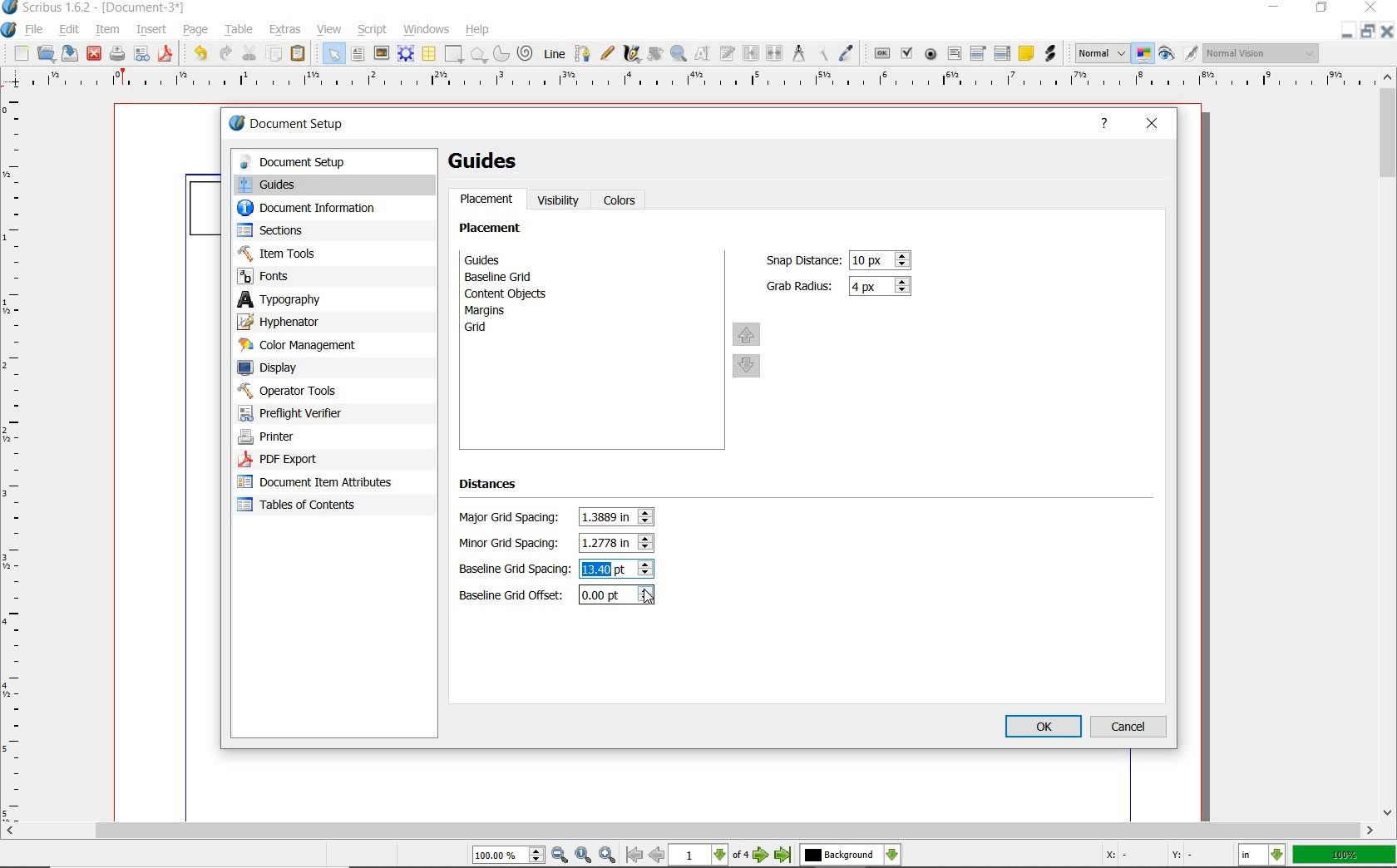 The height and width of the screenshot is (868, 1397). What do you see at coordinates (608, 518) in the screenshot?
I see `major grid spacing value` at bounding box center [608, 518].